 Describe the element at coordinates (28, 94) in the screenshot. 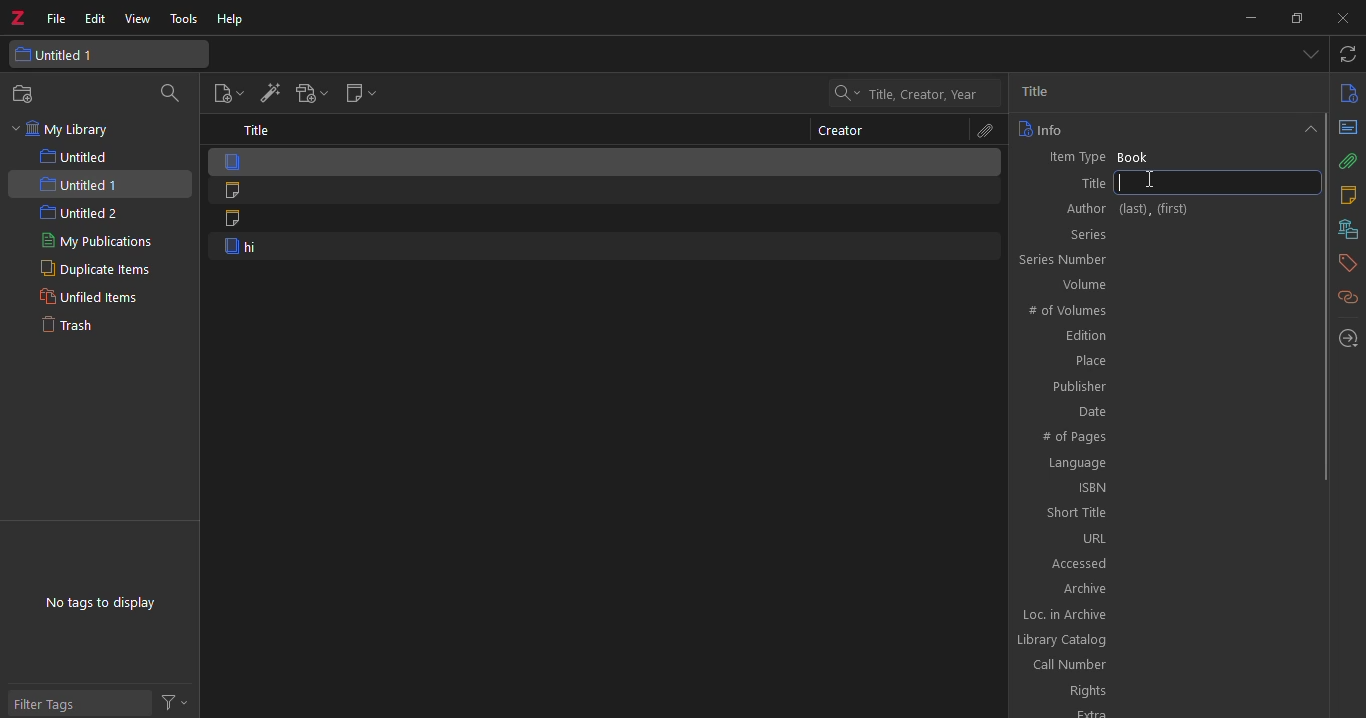

I see `new collection` at that location.